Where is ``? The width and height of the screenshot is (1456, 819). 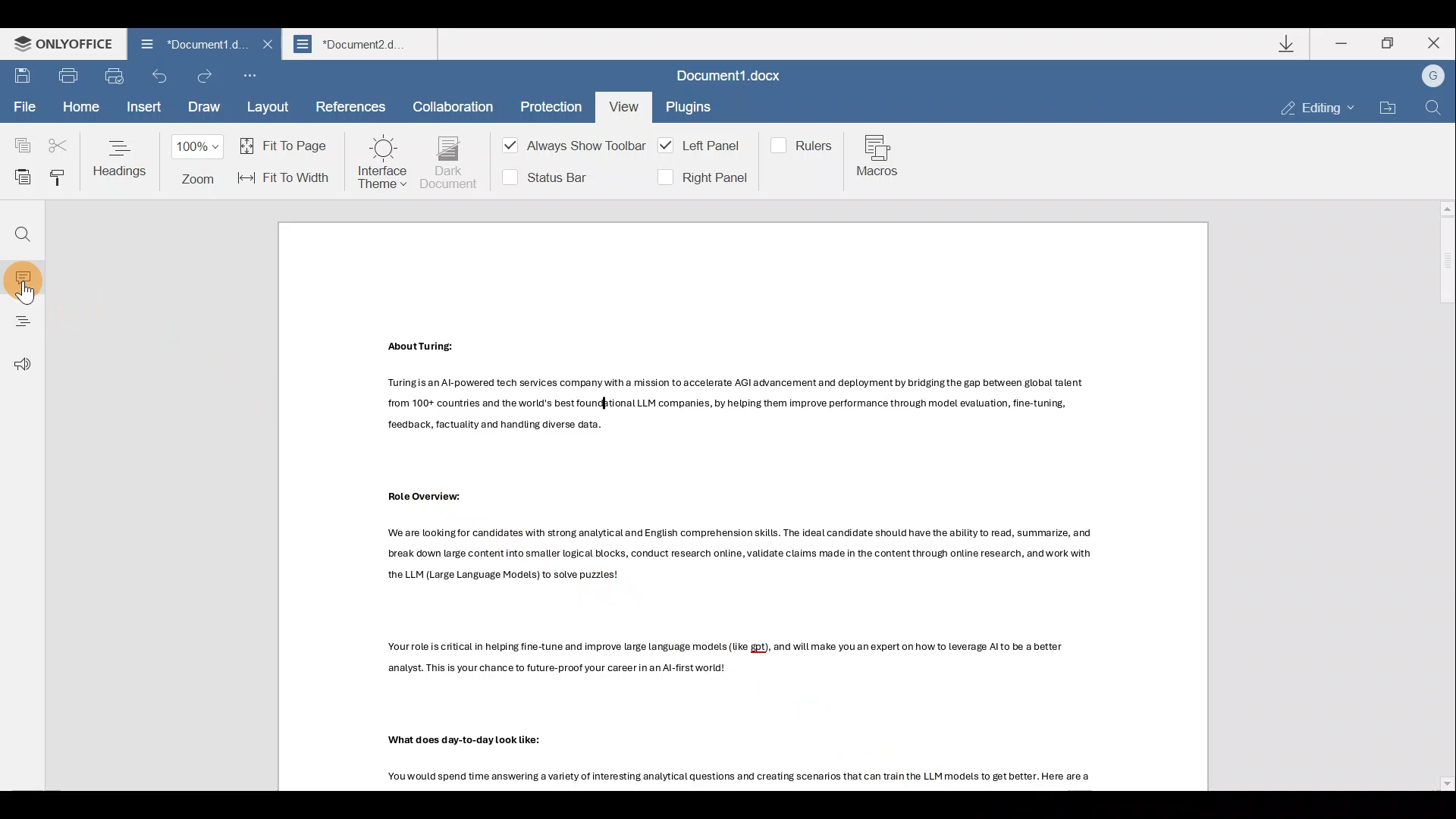
 is located at coordinates (422, 346).